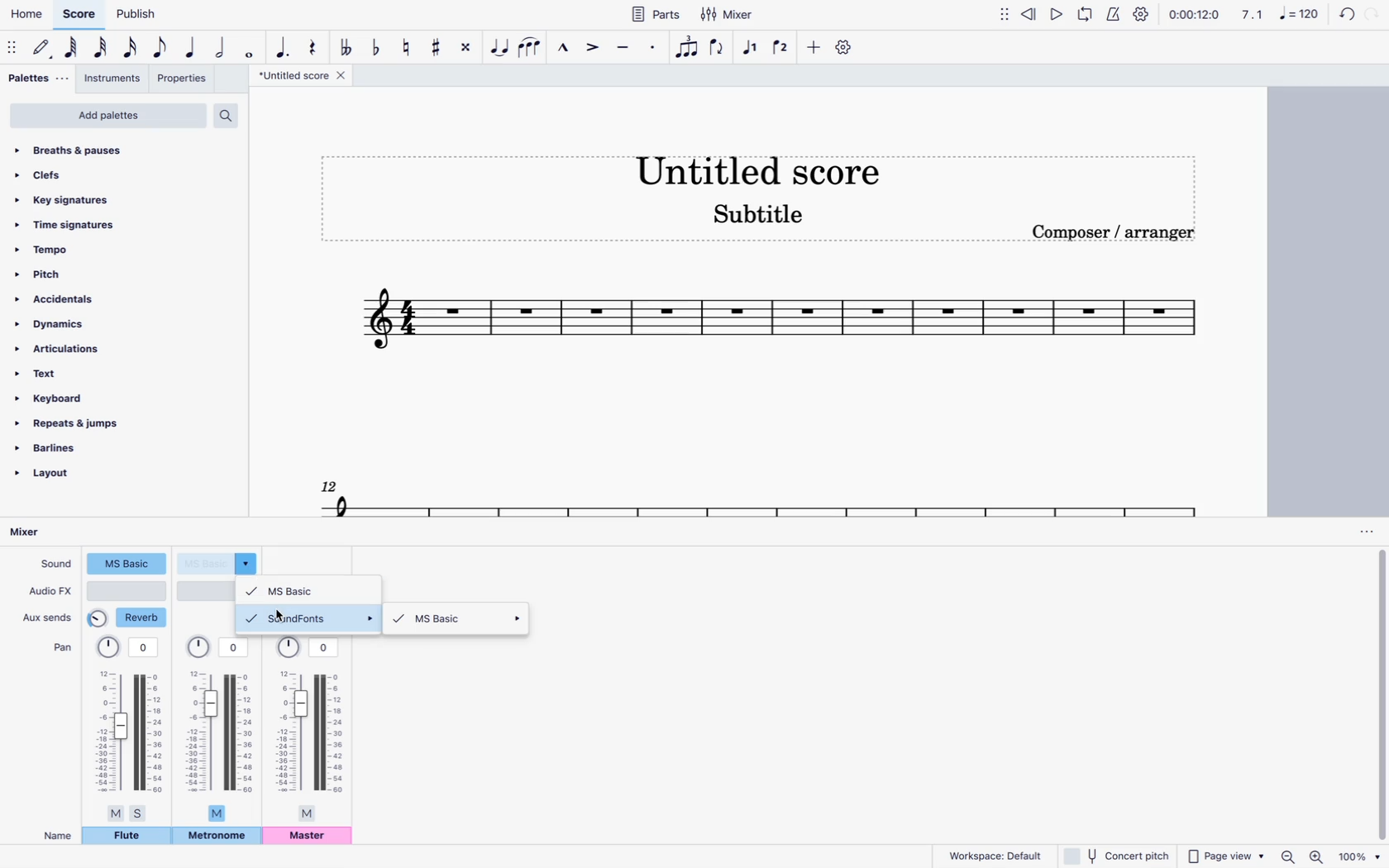  Describe the element at coordinates (1378, 696) in the screenshot. I see `vertical scrollbar` at that location.